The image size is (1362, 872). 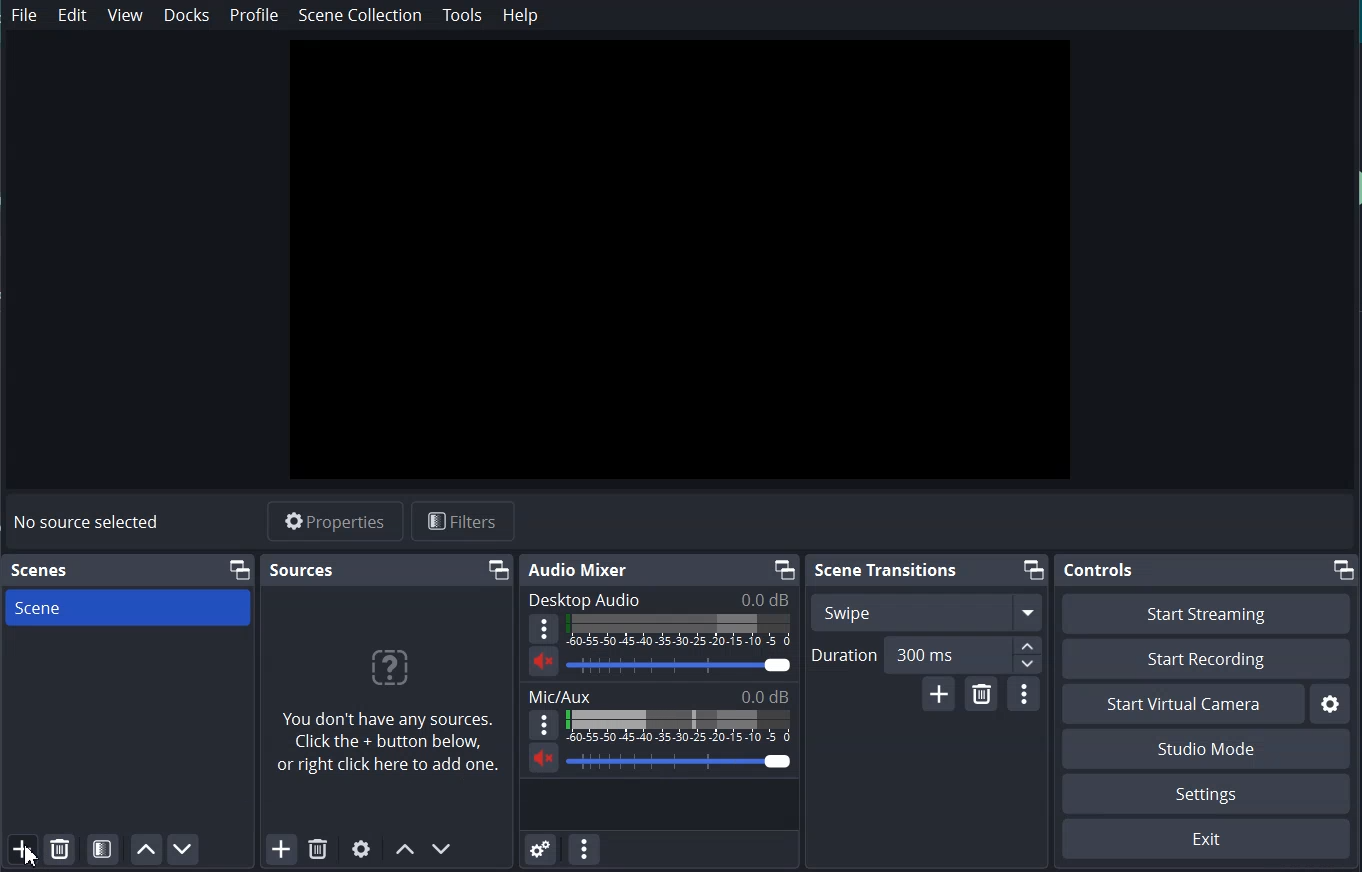 I want to click on Remove configurable Transition, so click(x=981, y=694).